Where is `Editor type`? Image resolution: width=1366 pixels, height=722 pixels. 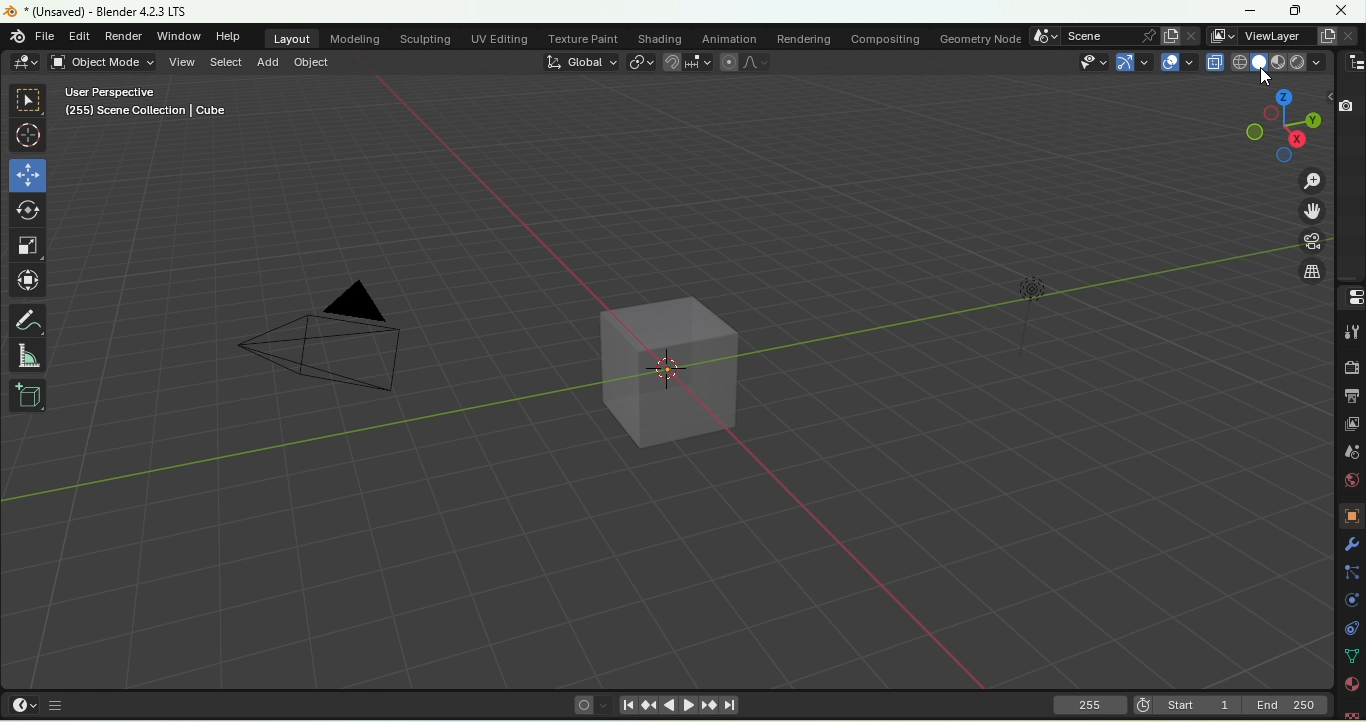 Editor type is located at coordinates (25, 704).